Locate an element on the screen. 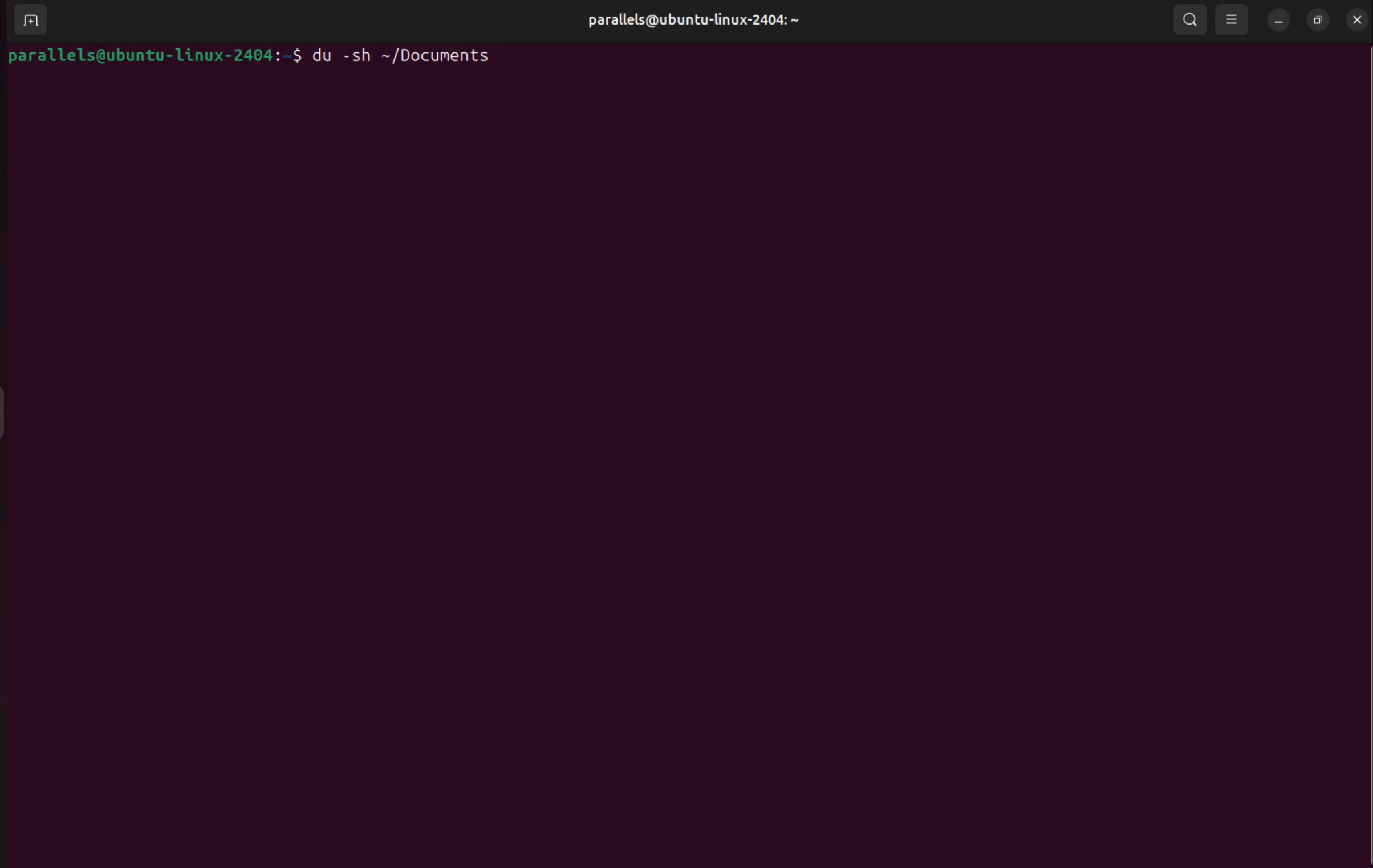  add terminal is located at coordinates (38, 16).